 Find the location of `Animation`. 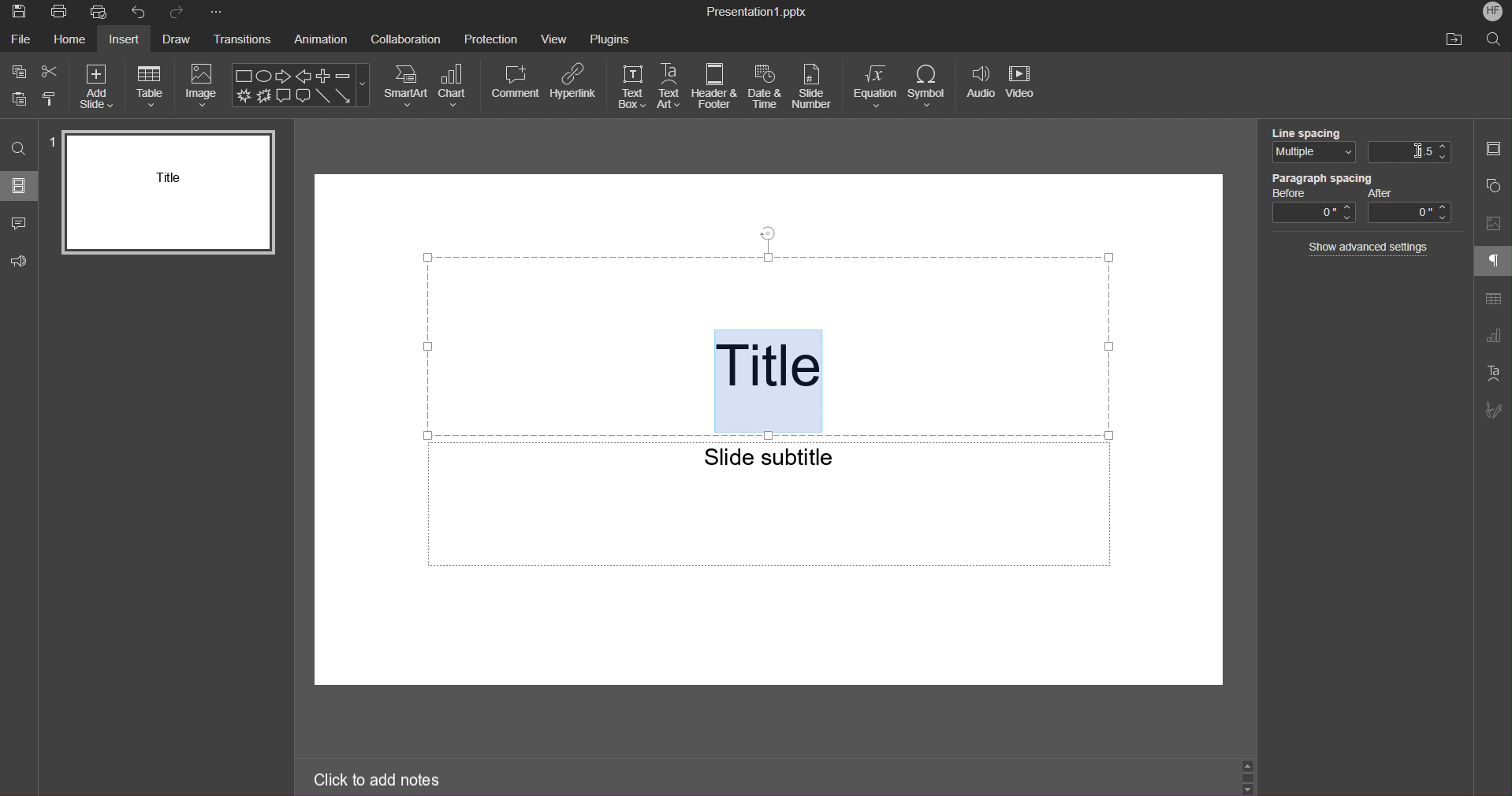

Animation is located at coordinates (320, 41).